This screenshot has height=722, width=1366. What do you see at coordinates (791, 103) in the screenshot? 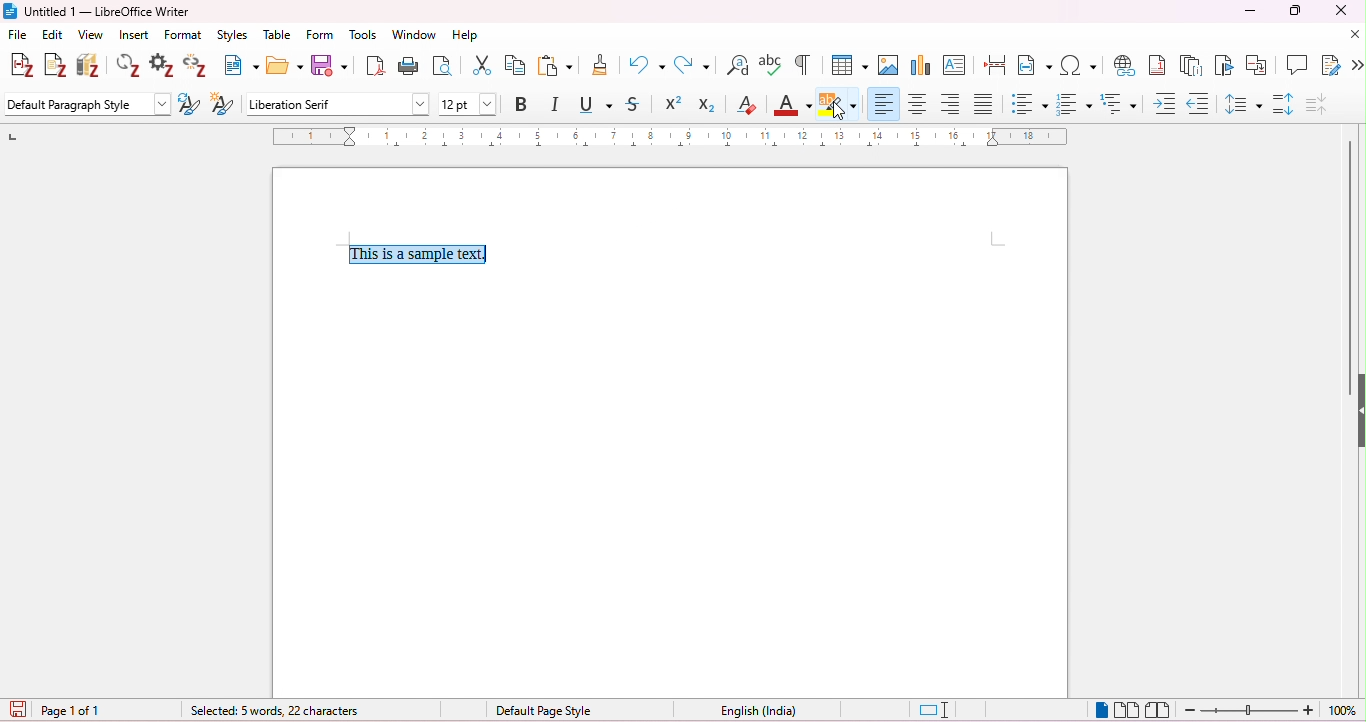
I see `font color` at bounding box center [791, 103].